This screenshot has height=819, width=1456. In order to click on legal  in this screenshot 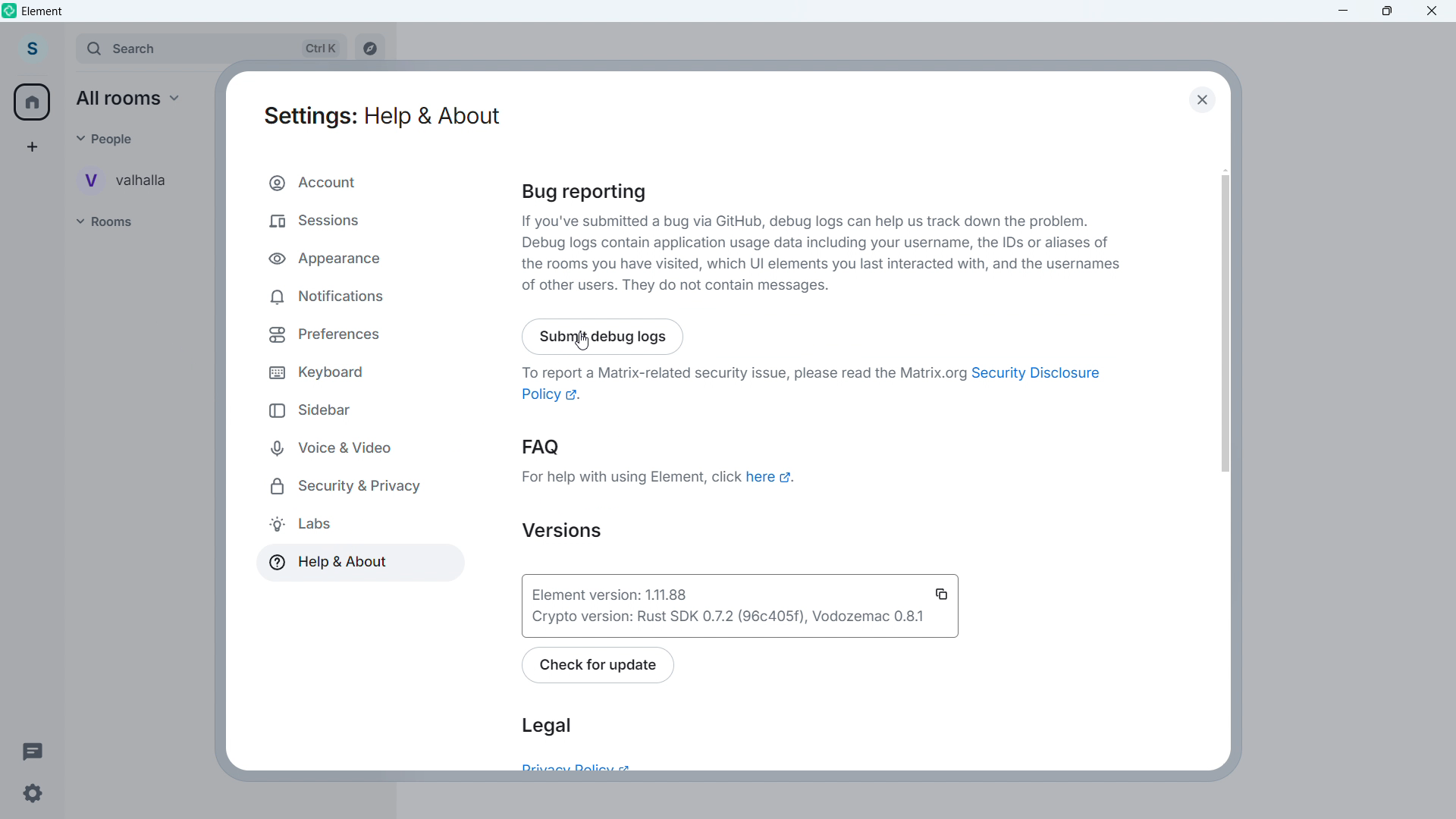, I will do `click(546, 726)`.